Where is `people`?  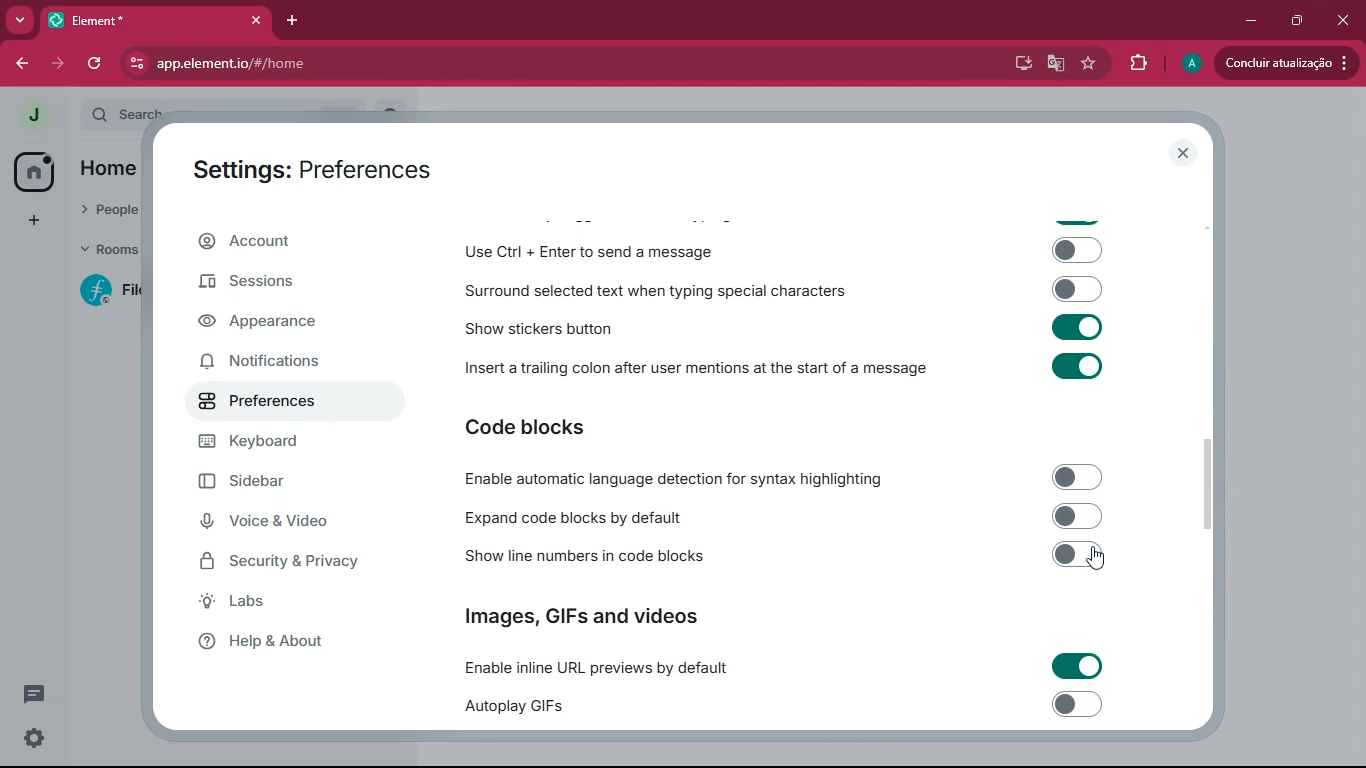 people is located at coordinates (105, 208).